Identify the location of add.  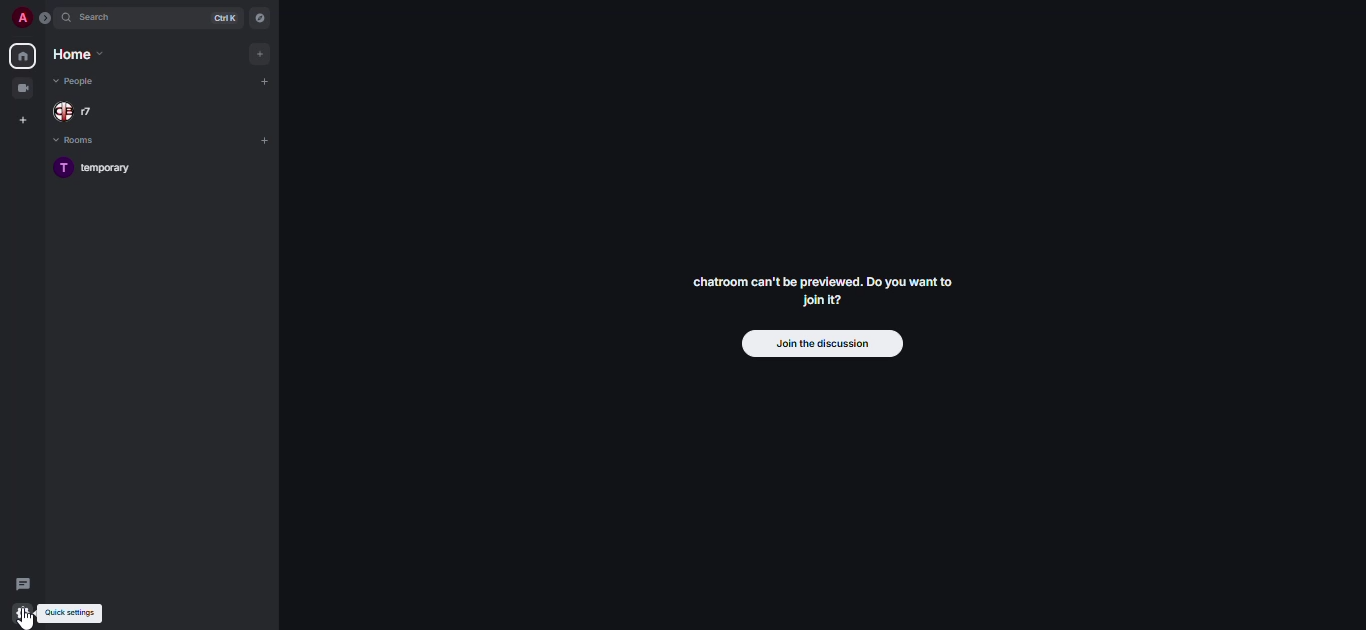
(263, 140).